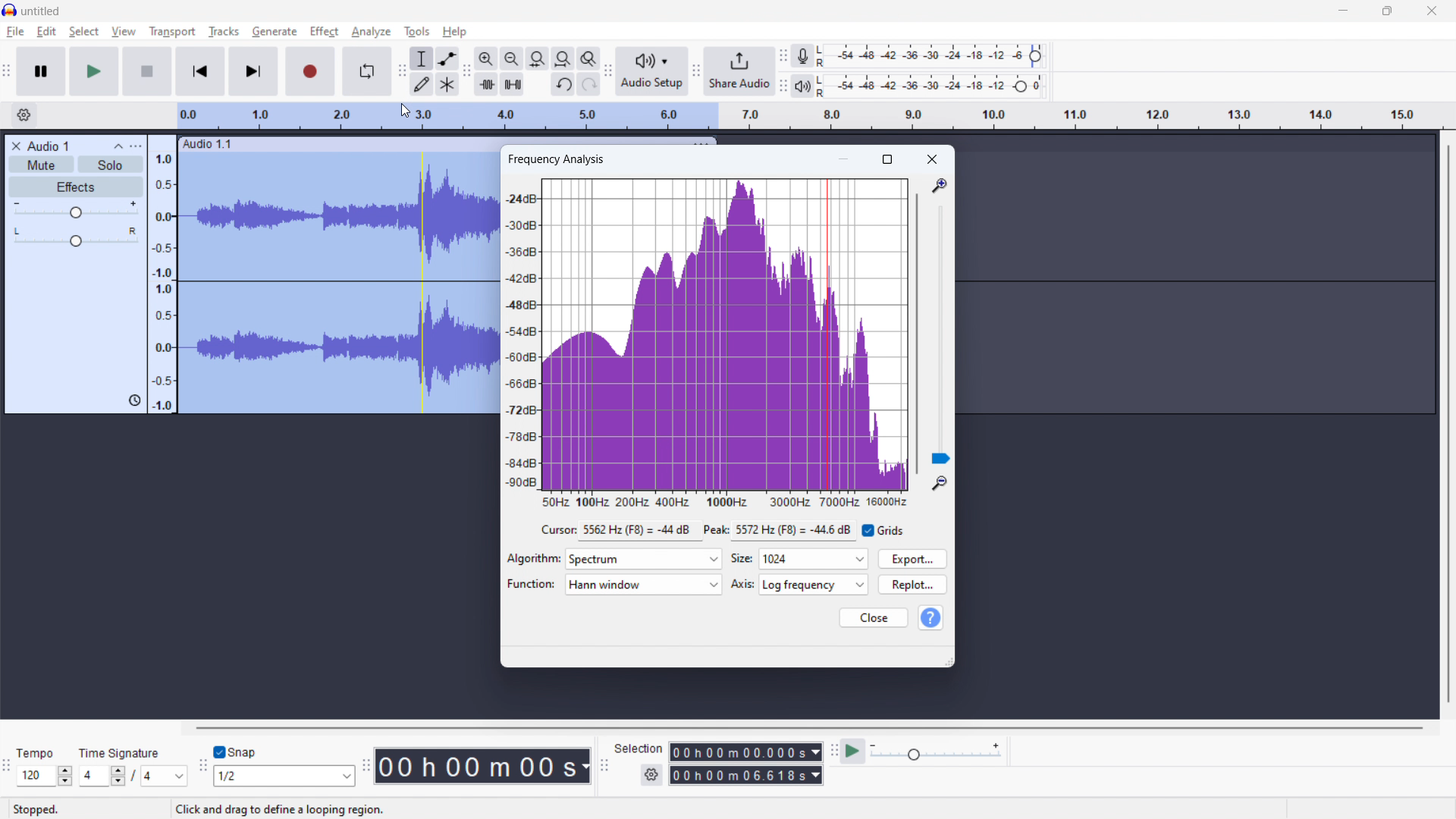 The image size is (1456, 819). Describe the element at coordinates (200, 71) in the screenshot. I see `skip to start` at that location.